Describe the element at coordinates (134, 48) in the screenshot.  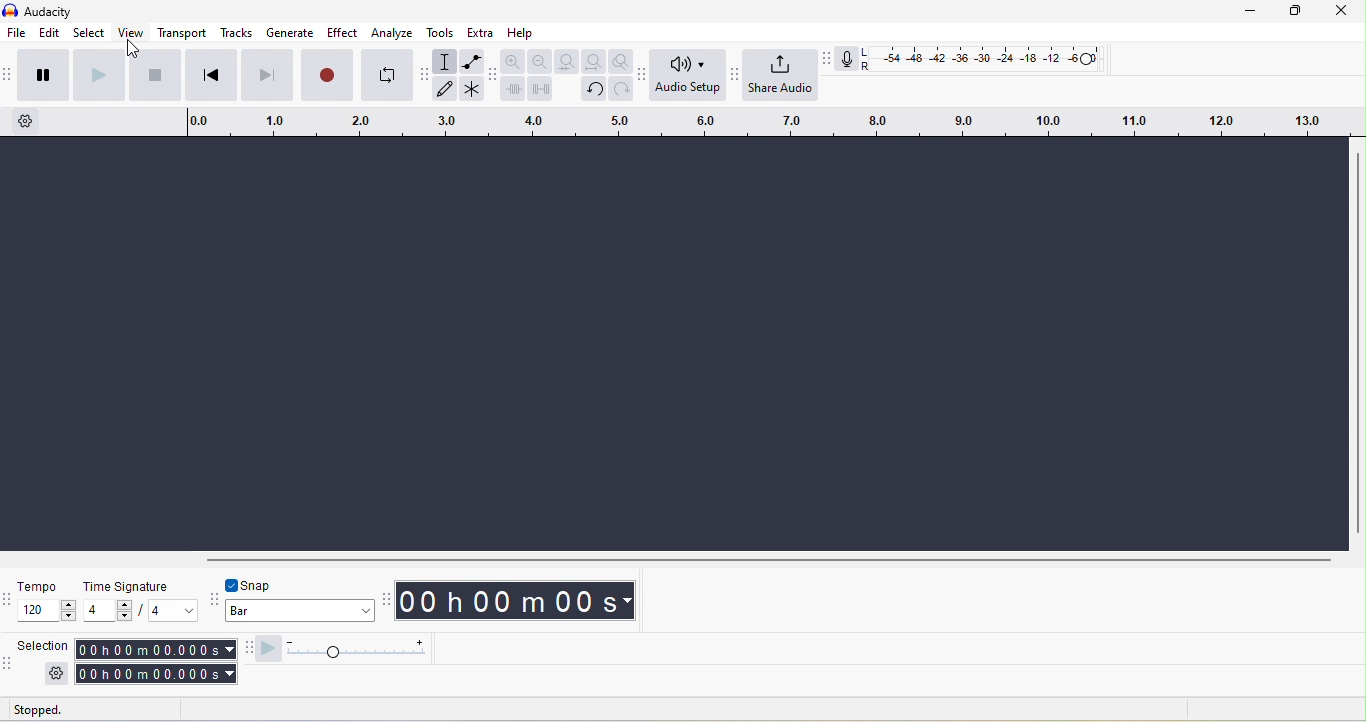
I see `cursor` at that location.